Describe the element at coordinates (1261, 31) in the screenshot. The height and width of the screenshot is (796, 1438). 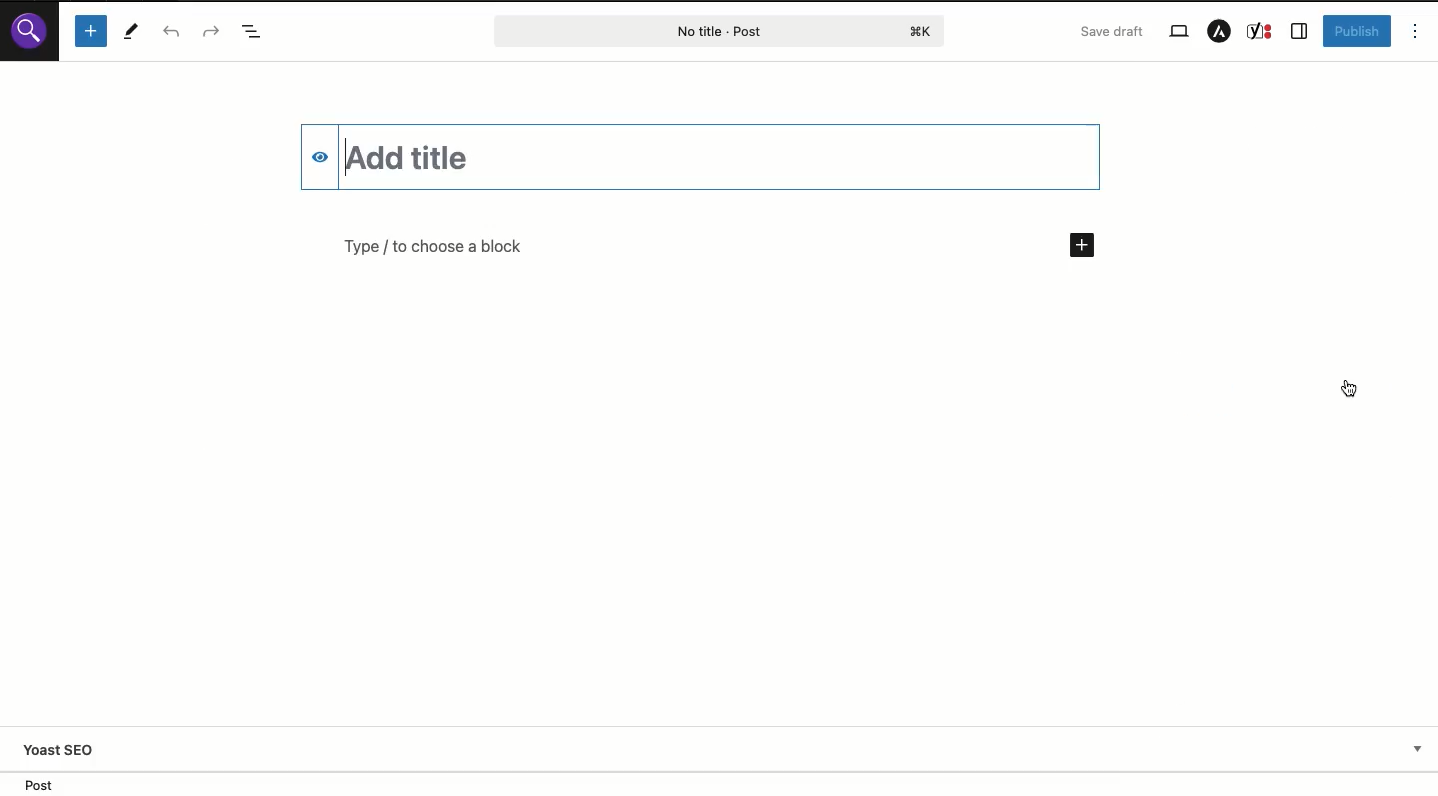
I see `Yoast` at that location.